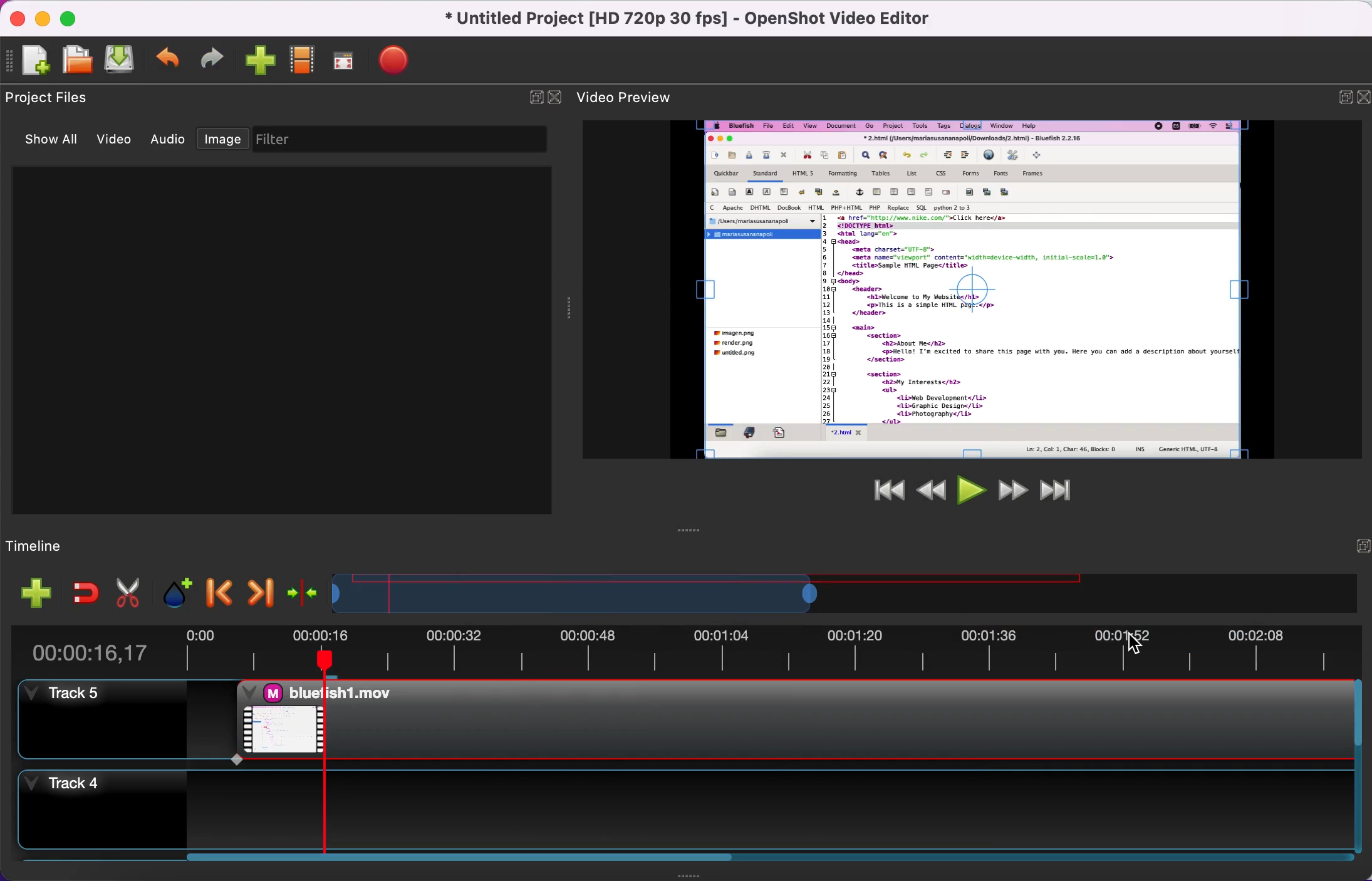 This screenshot has height=881, width=1372. I want to click on timeline, so click(728, 590).